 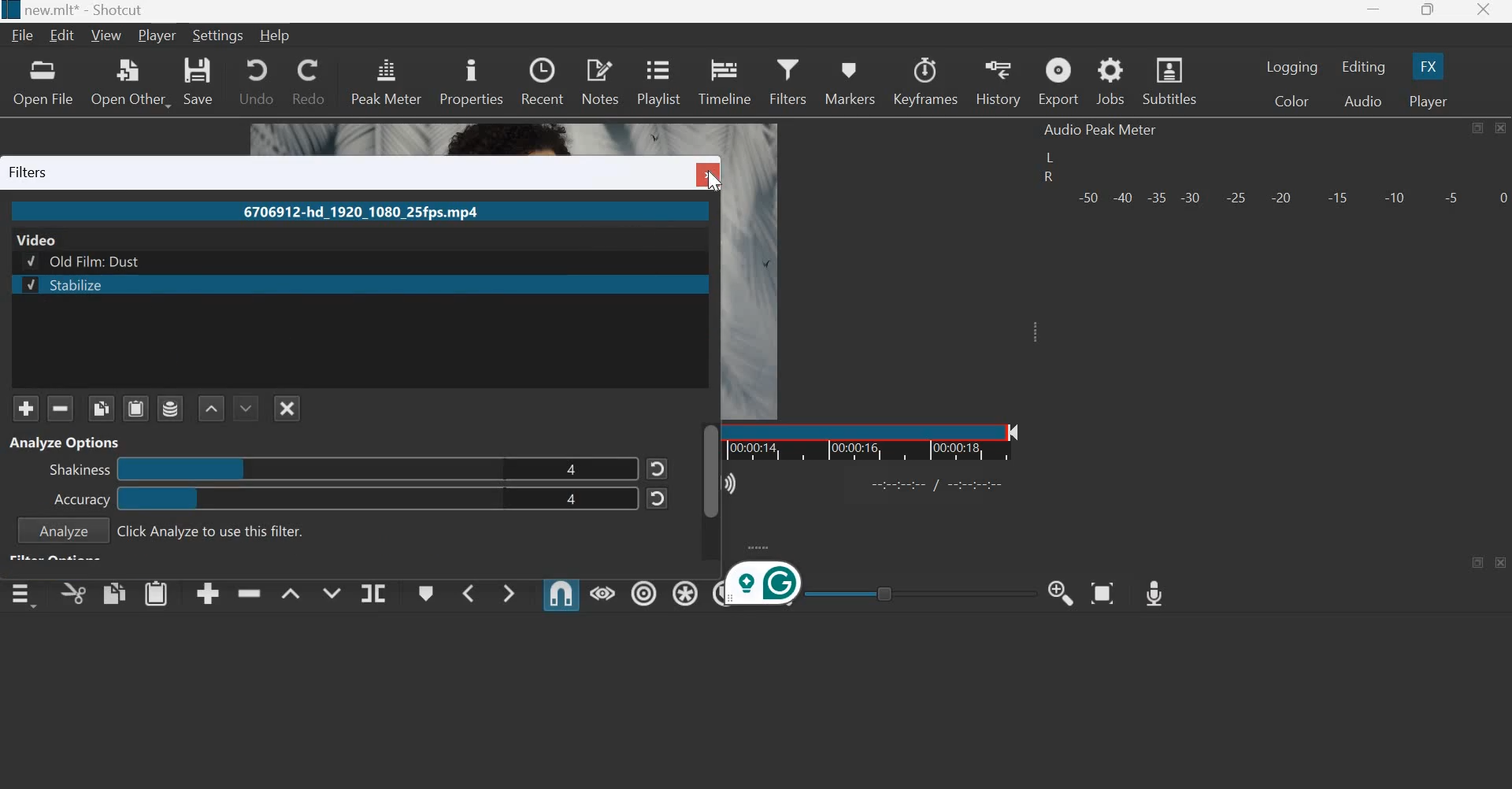 I want to click on paste filters, so click(x=136, y=408).